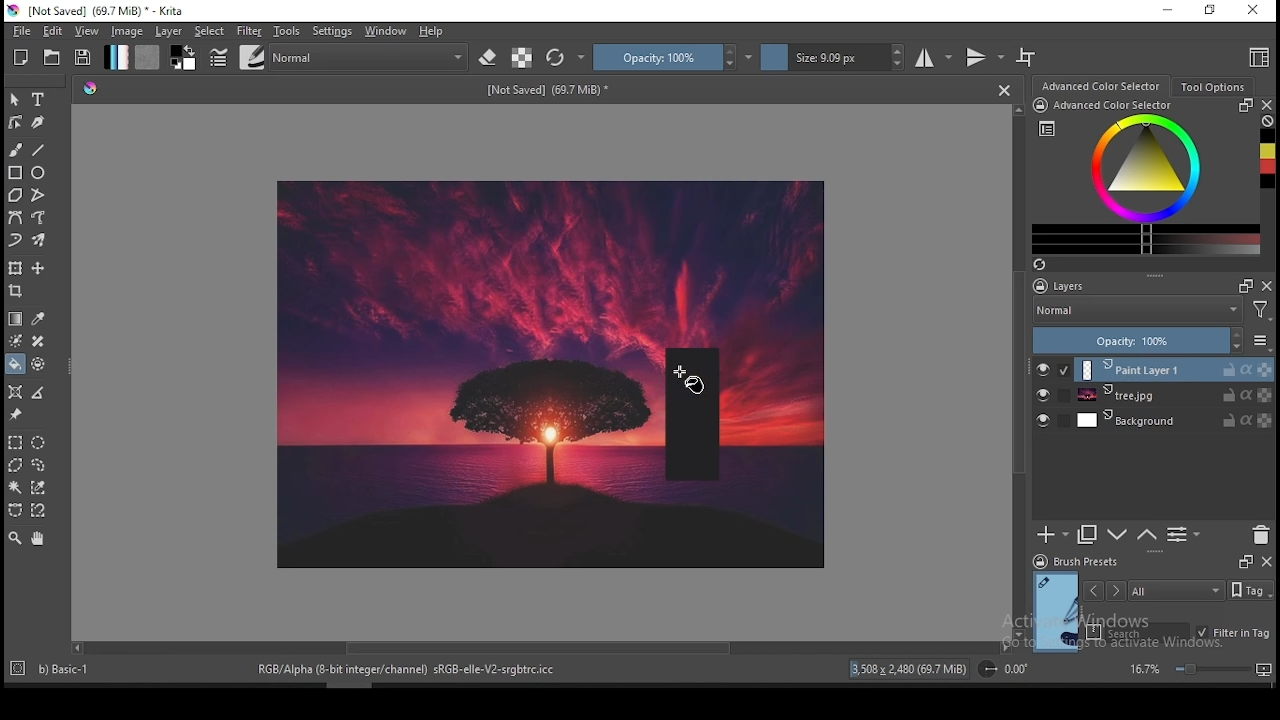 This screenshot has height=720, width=1280. Describe the element at coordinates (1199, 669) in the screenshot. I see `zoom ` at that location.